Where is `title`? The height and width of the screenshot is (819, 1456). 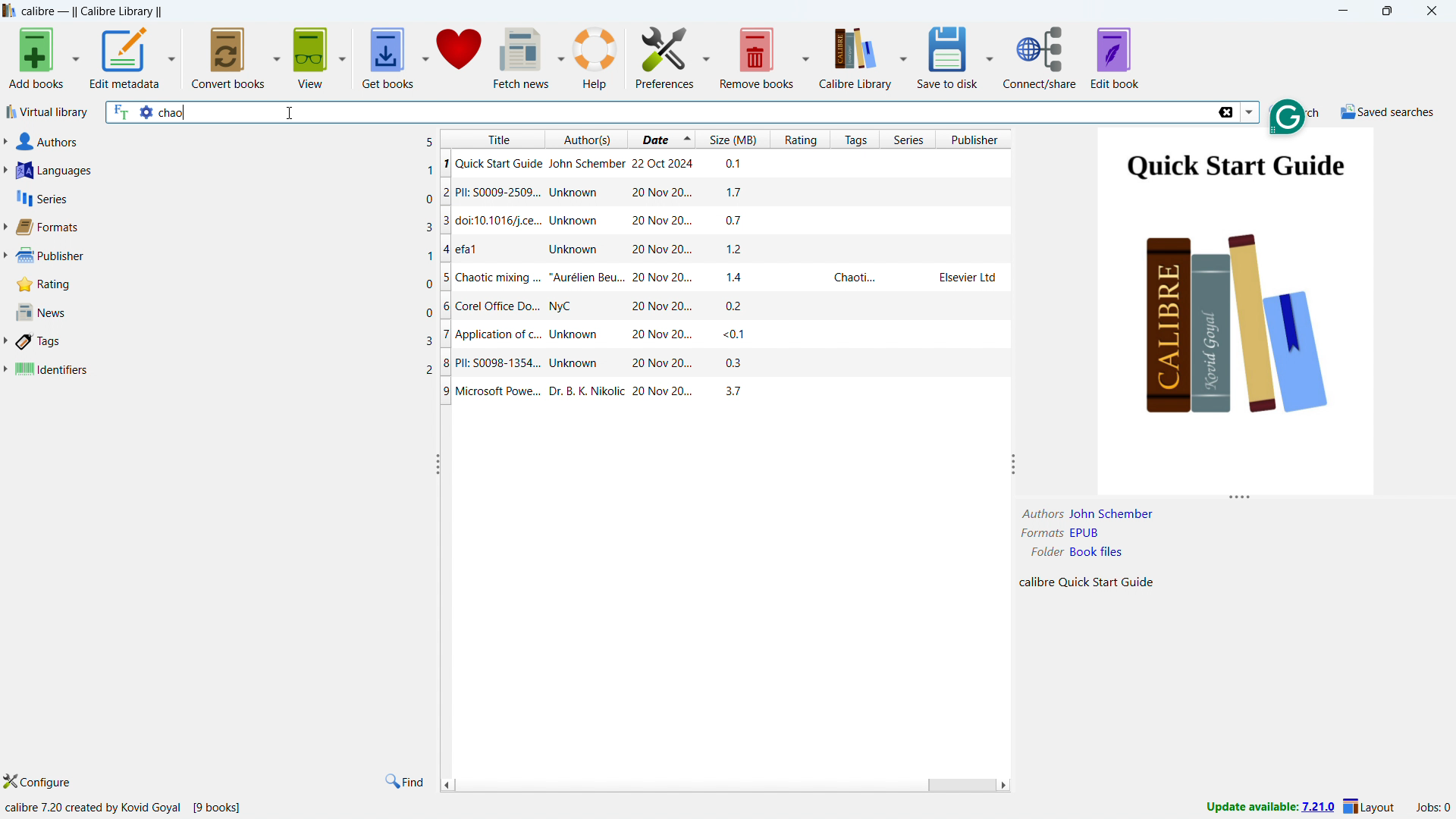 title is located at coordinates (93, 11).